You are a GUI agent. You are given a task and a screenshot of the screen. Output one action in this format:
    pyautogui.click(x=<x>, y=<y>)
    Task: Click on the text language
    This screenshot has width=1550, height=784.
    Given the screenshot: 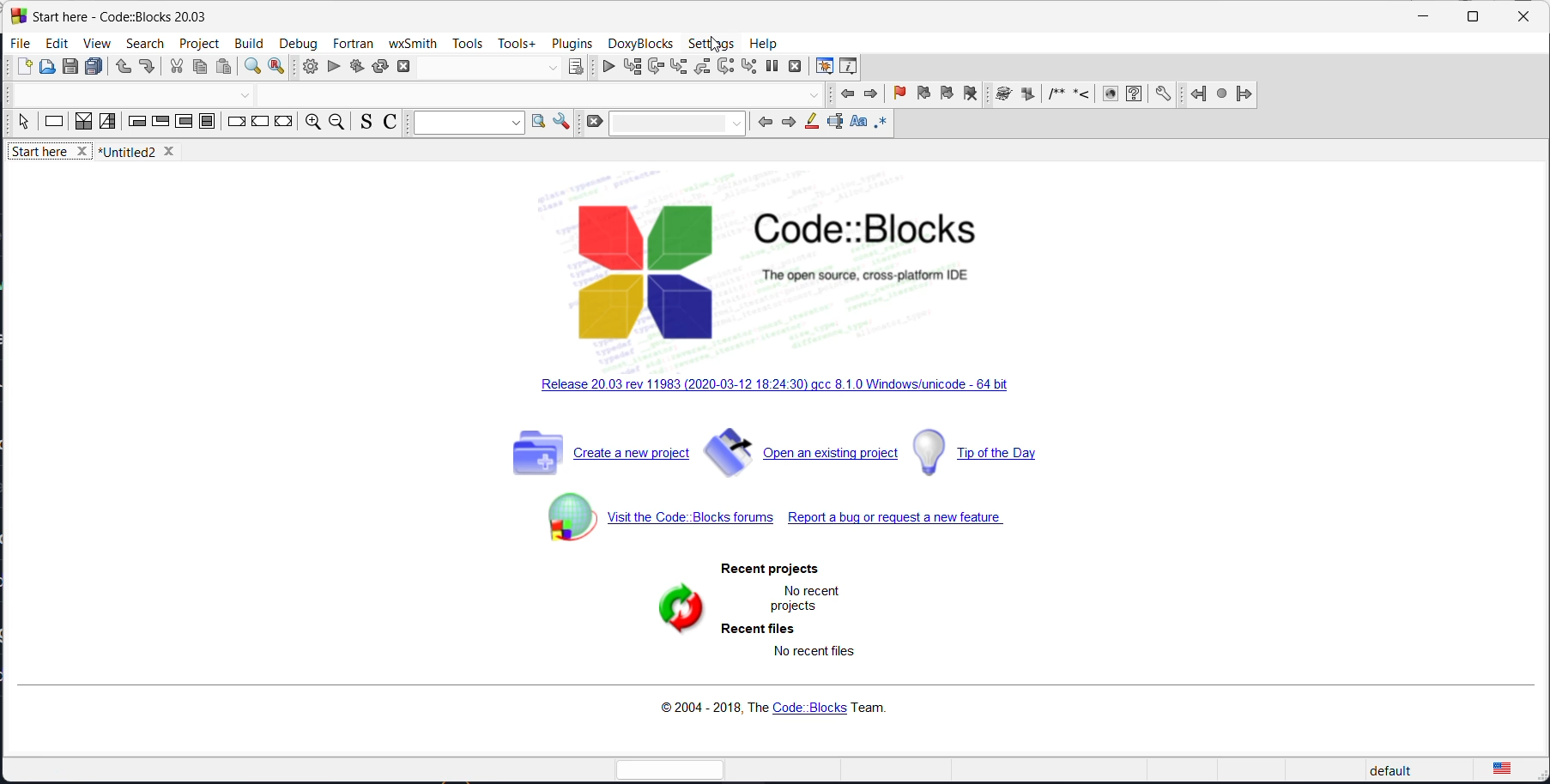 What is the action you would take?
    pyautogui.click(x=1503, y=769)
    